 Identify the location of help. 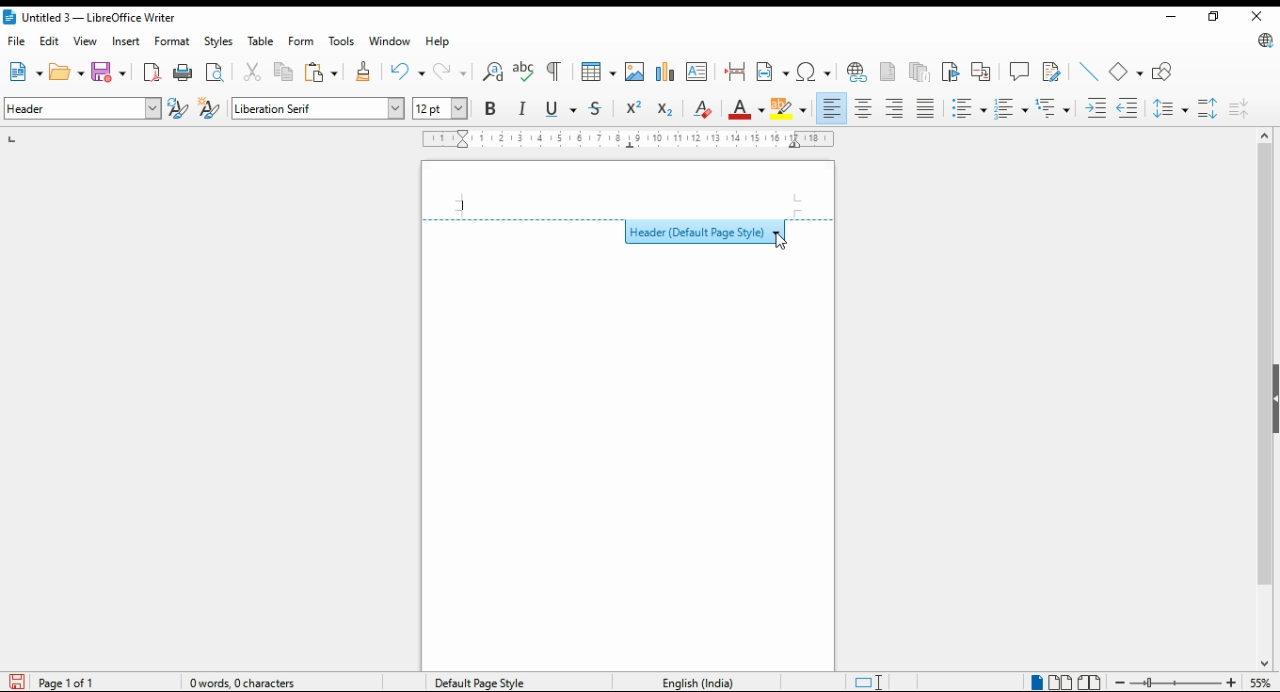
(439, 41).